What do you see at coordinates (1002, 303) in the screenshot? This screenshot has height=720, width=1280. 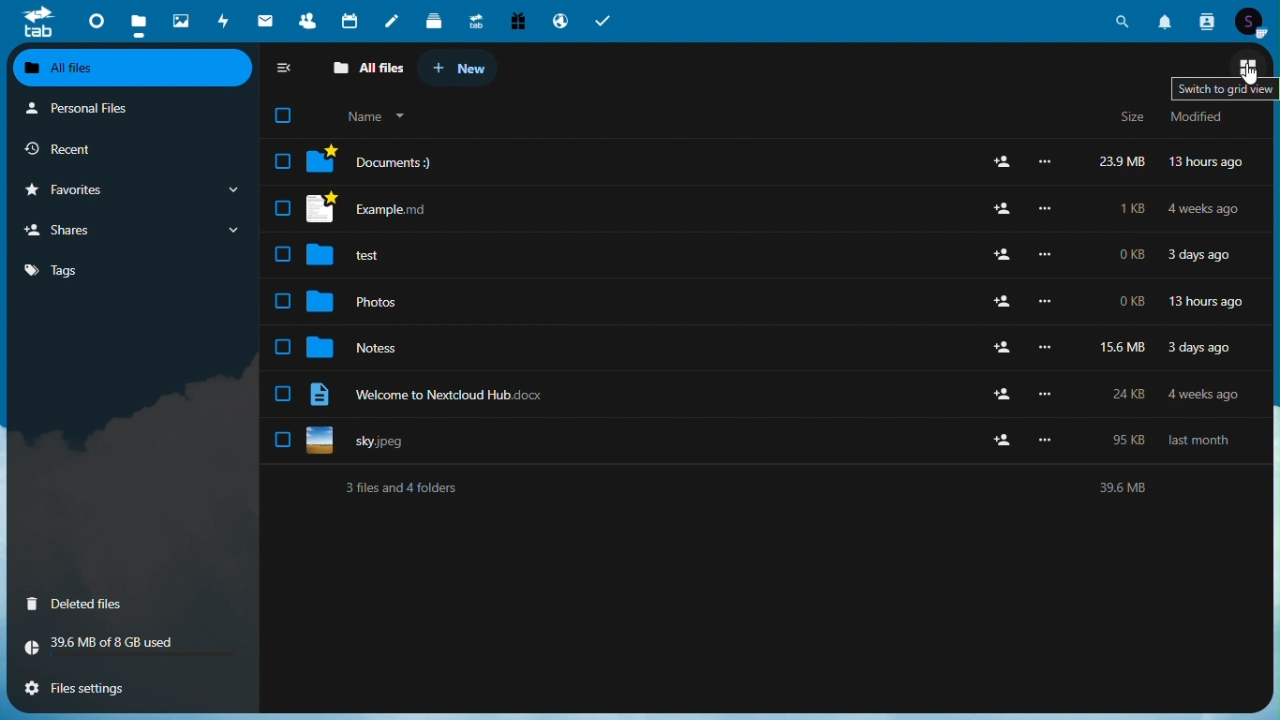 I see `add user` at bounding box center [1002, 303].